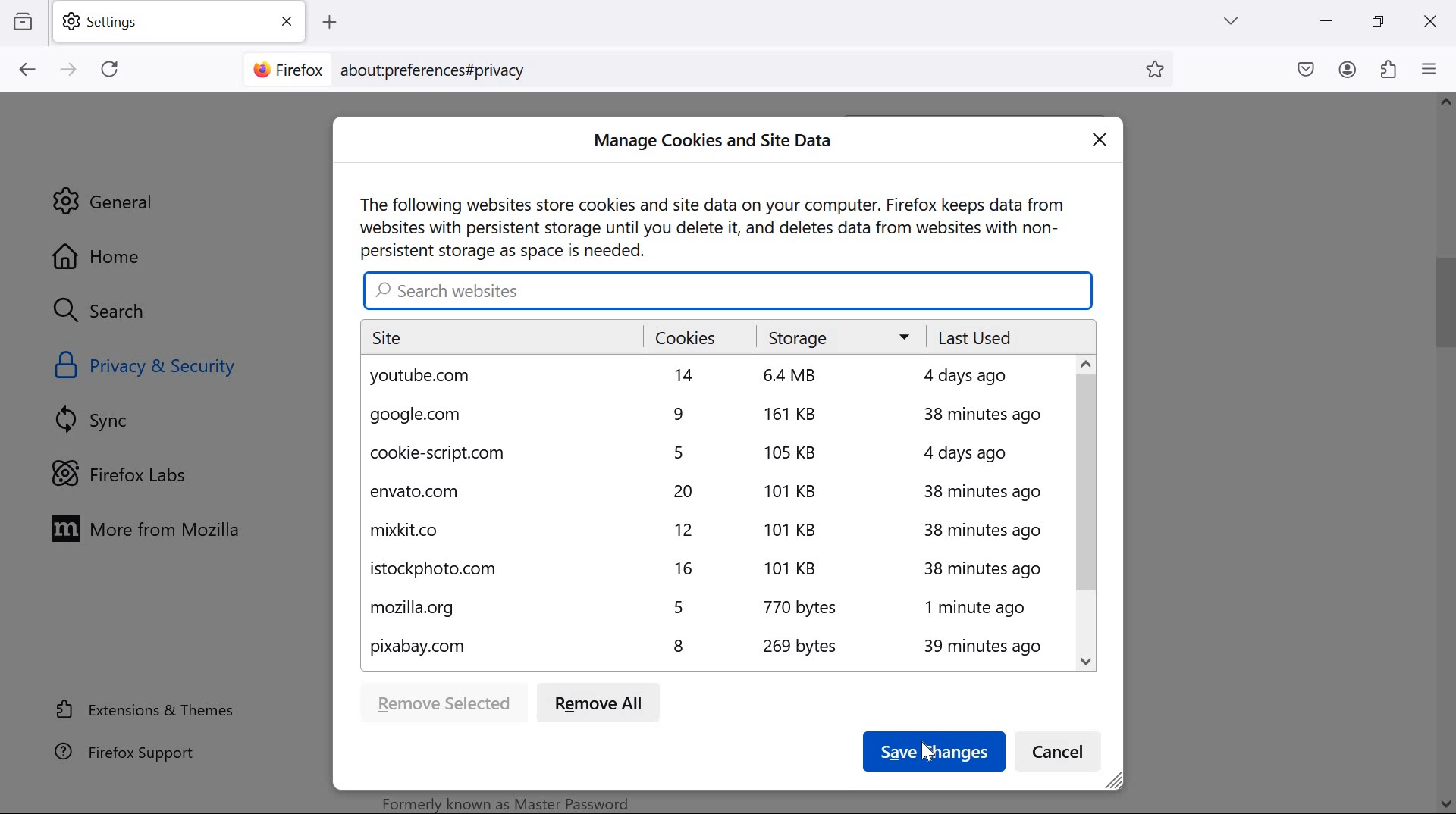  Describe the element at coordinates (494, 495) in the screenshot. I see `Site youtube.com google.com cookie-script.comenvato.commixkit.co istockphoto.commozilla.org pixabay.com` at that location.